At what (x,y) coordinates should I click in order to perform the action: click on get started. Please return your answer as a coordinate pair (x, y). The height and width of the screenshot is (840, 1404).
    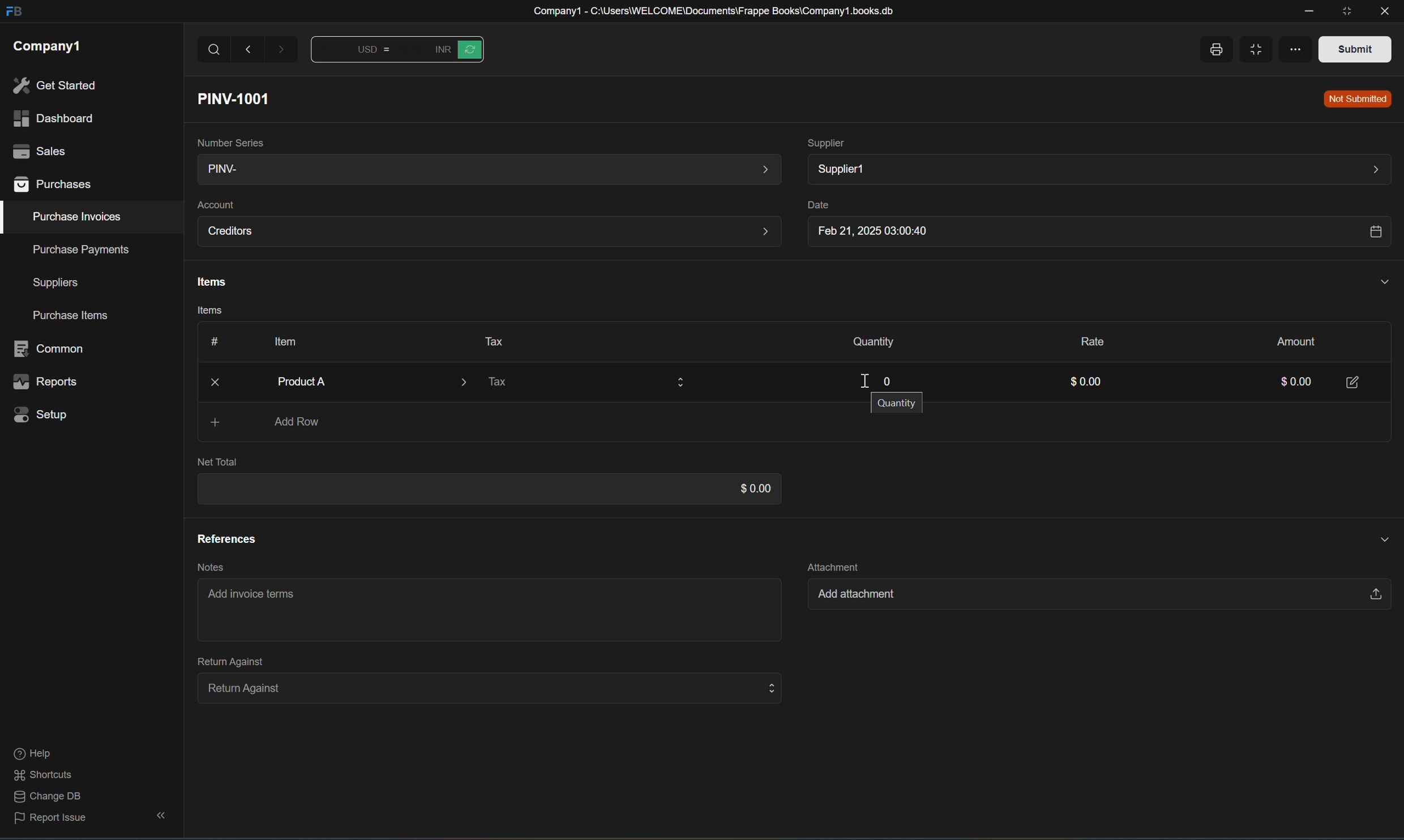
    Looking at the image, I should click on (54, 85).